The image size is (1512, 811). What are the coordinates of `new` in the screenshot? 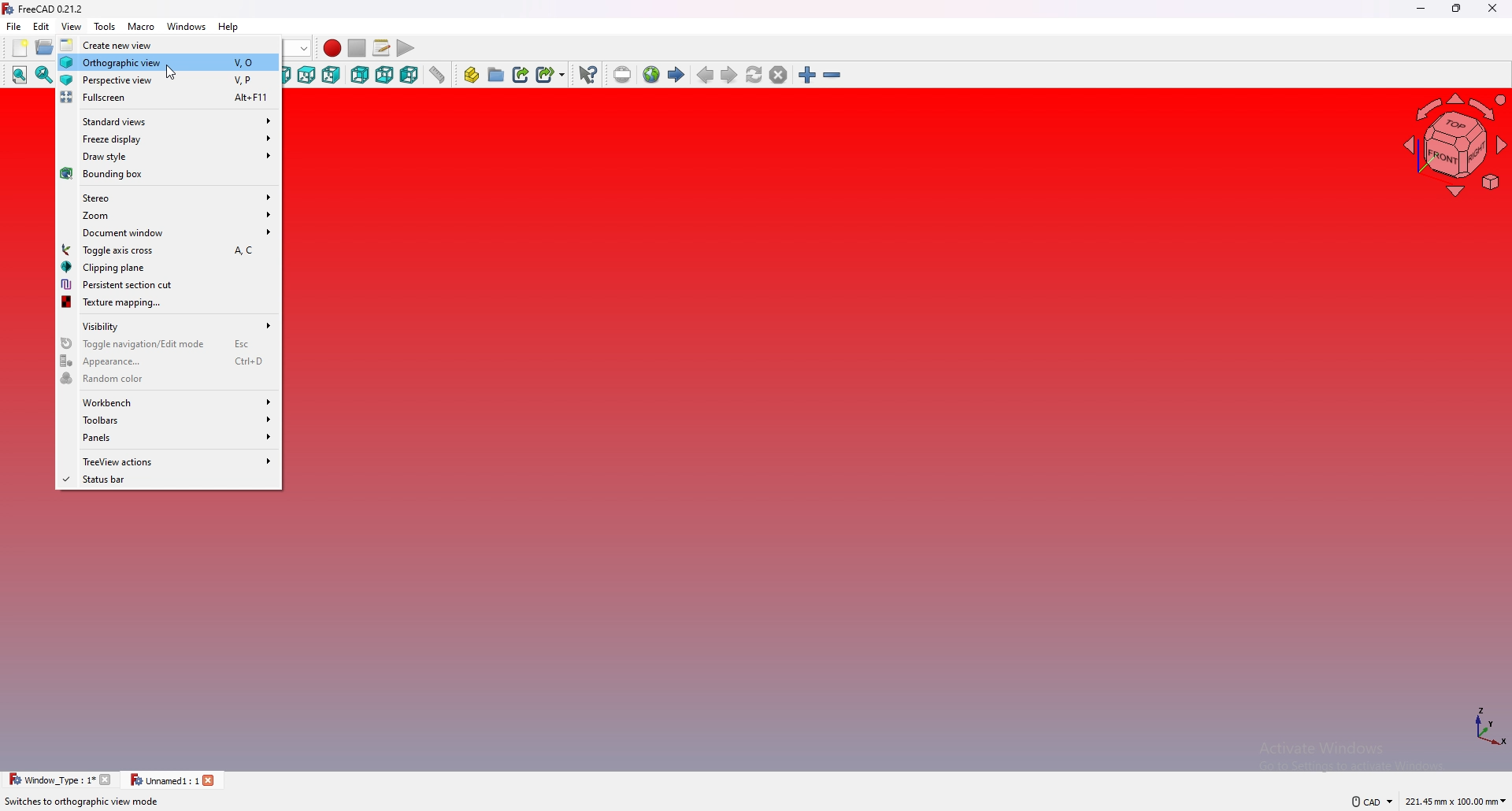 It's located at (20, 47).